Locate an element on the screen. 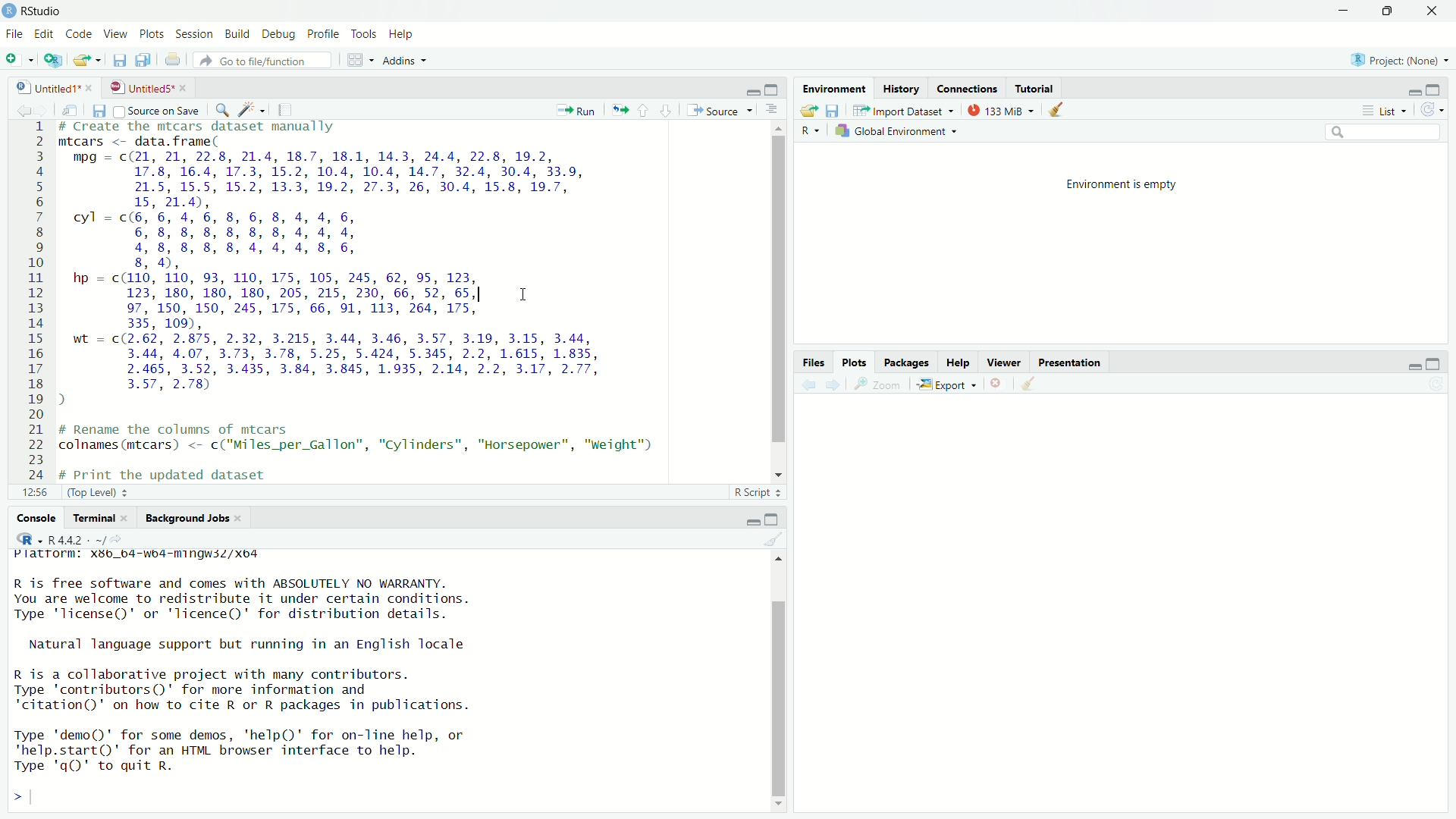 The height and width of the screenshot is (819, 1456). Build is located at coordinates (237, 33).